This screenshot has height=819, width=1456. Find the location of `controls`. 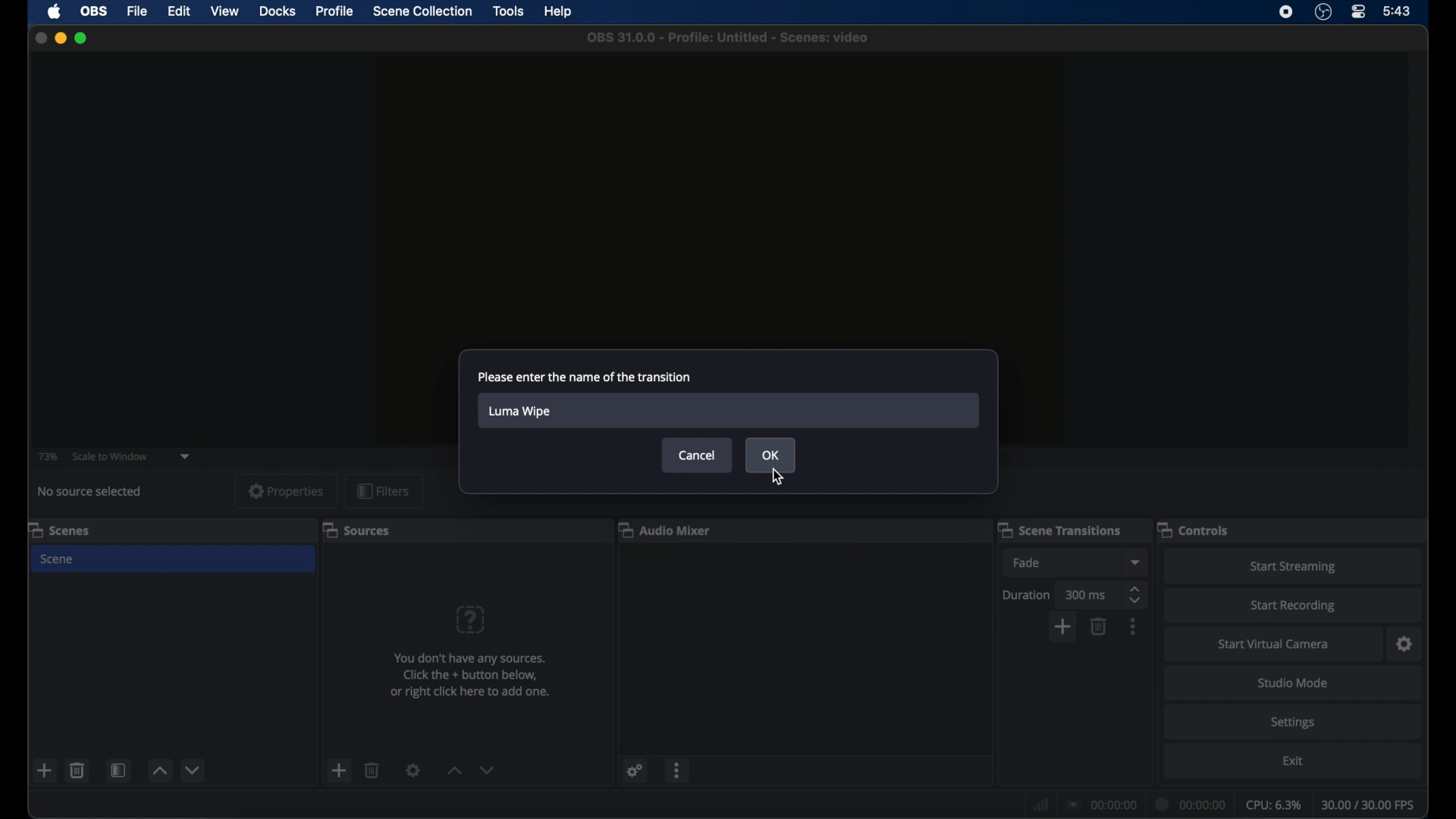

controls is located at coordinates (1194, 529).